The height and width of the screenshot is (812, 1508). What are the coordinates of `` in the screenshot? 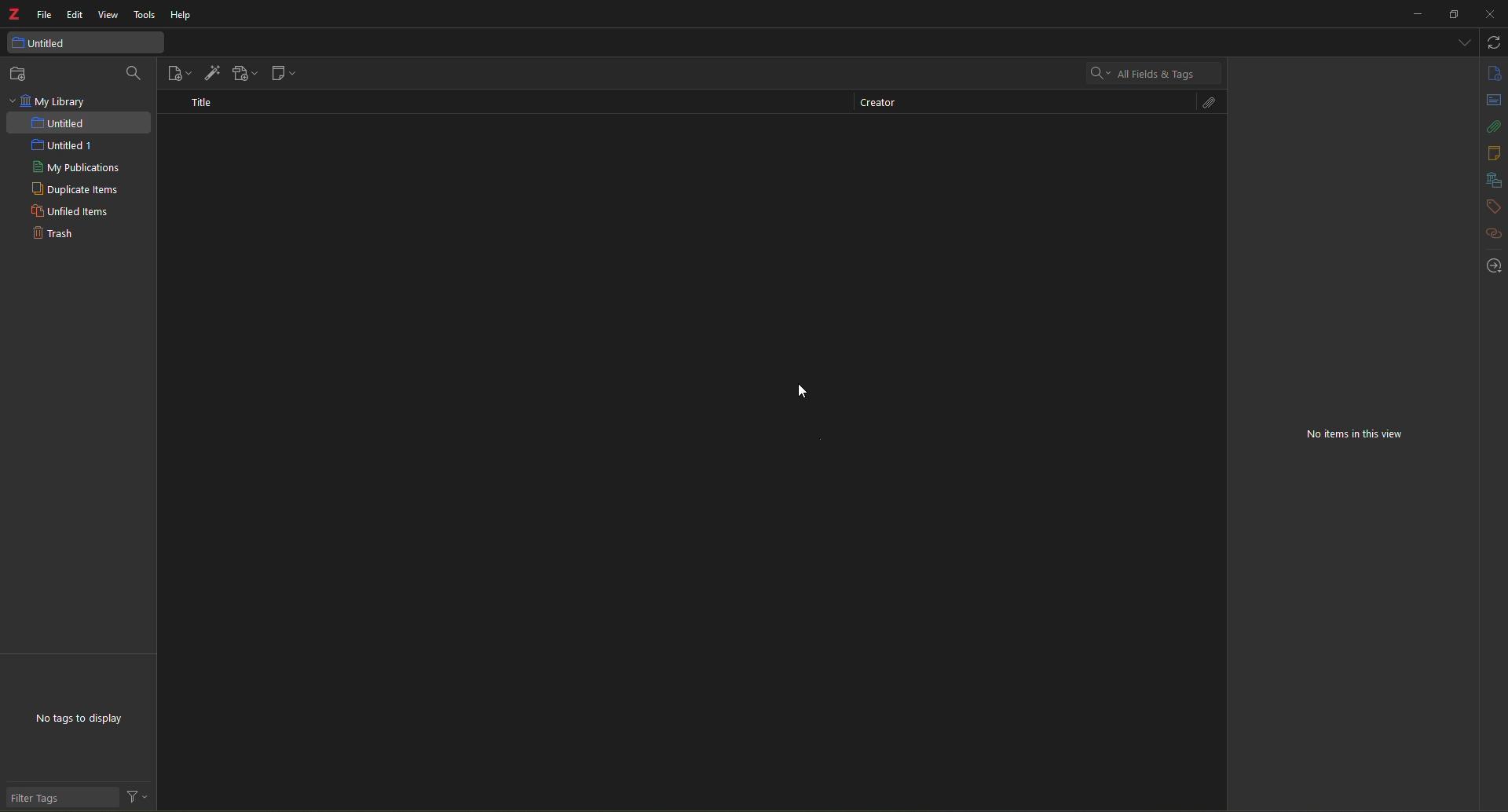 It's located at (1290, 73).